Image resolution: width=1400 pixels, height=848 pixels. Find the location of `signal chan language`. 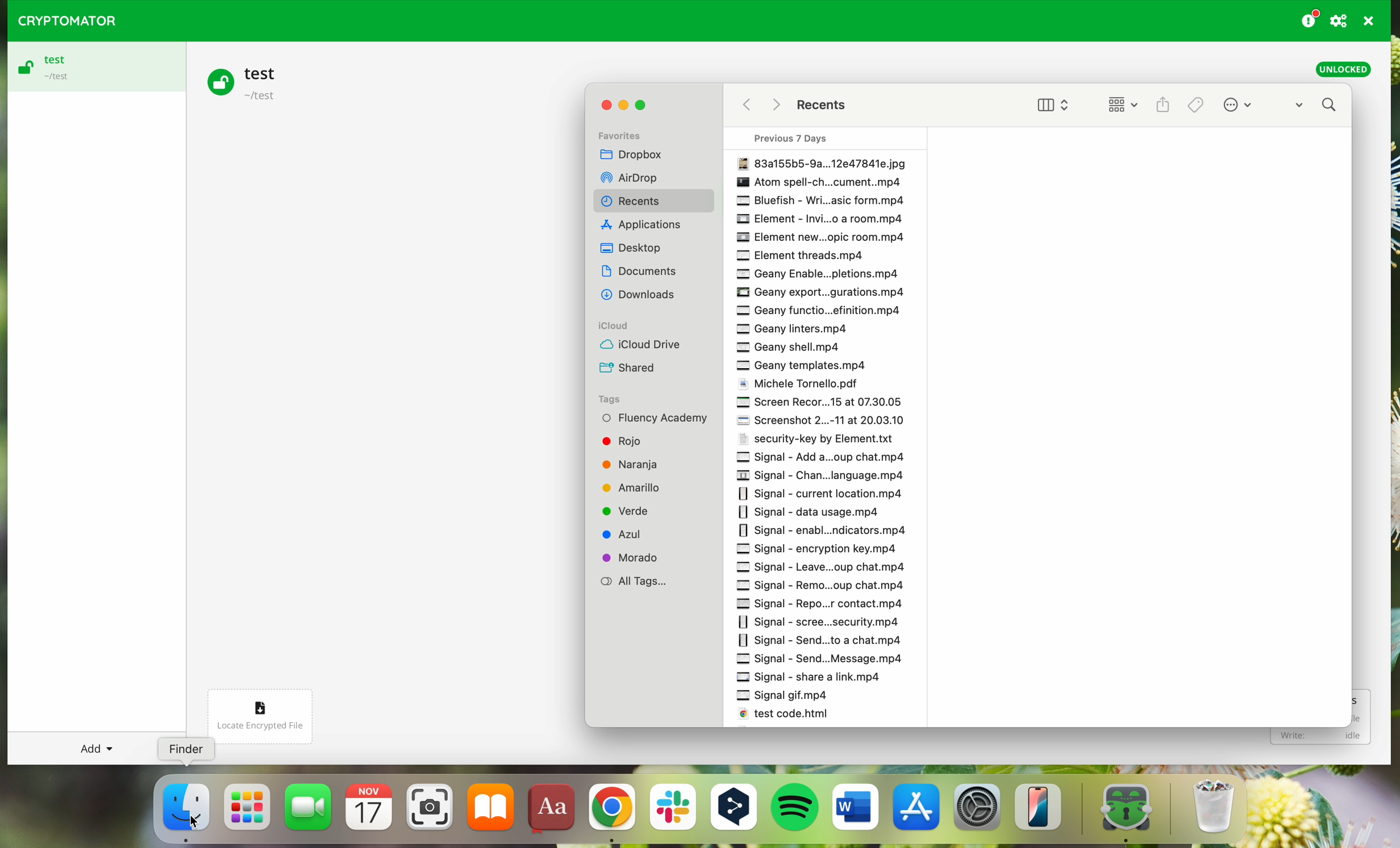

signal chan language is located at coordinates (826, 474).